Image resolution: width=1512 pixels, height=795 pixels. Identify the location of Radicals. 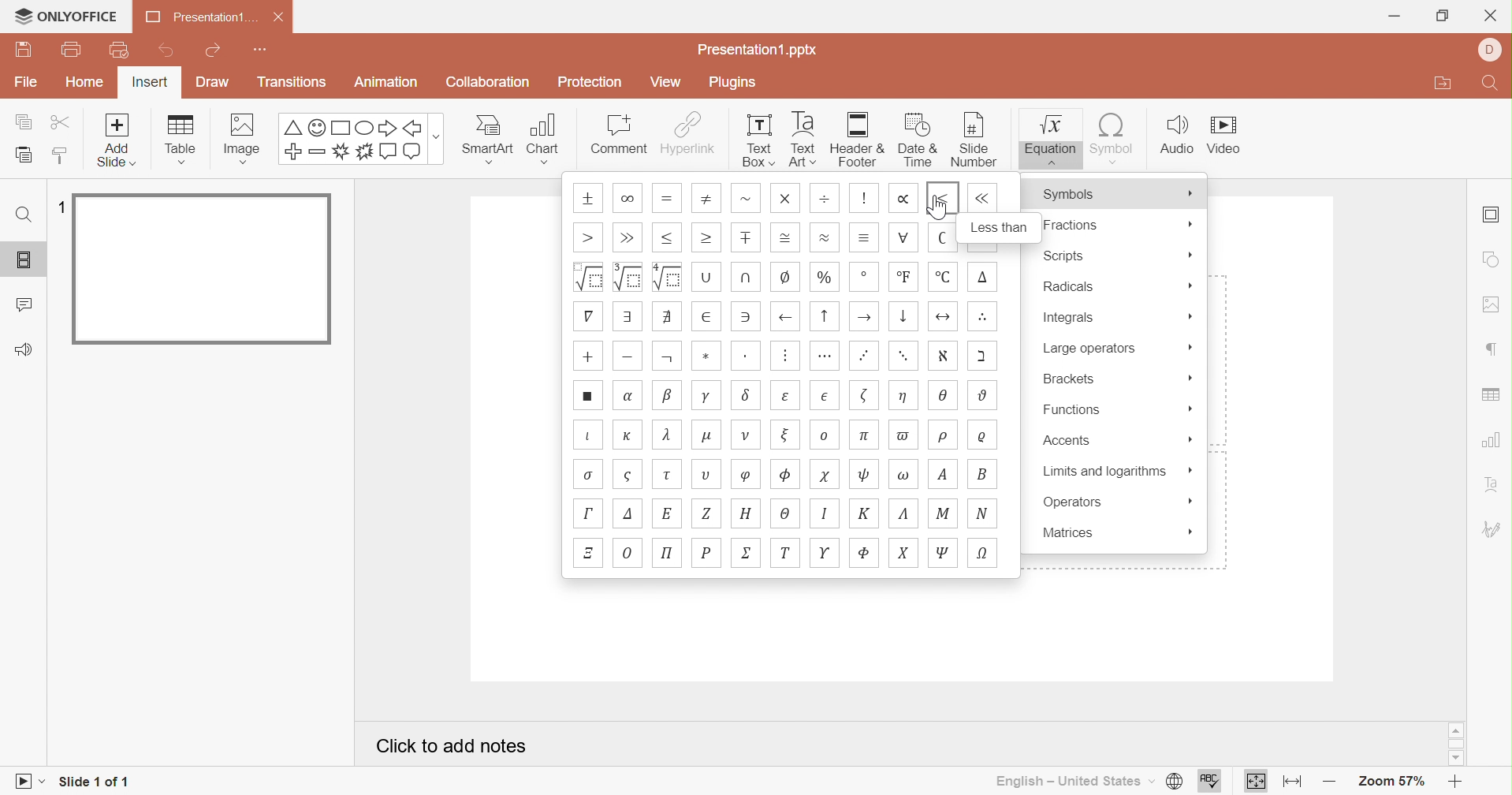
(1118, 282).